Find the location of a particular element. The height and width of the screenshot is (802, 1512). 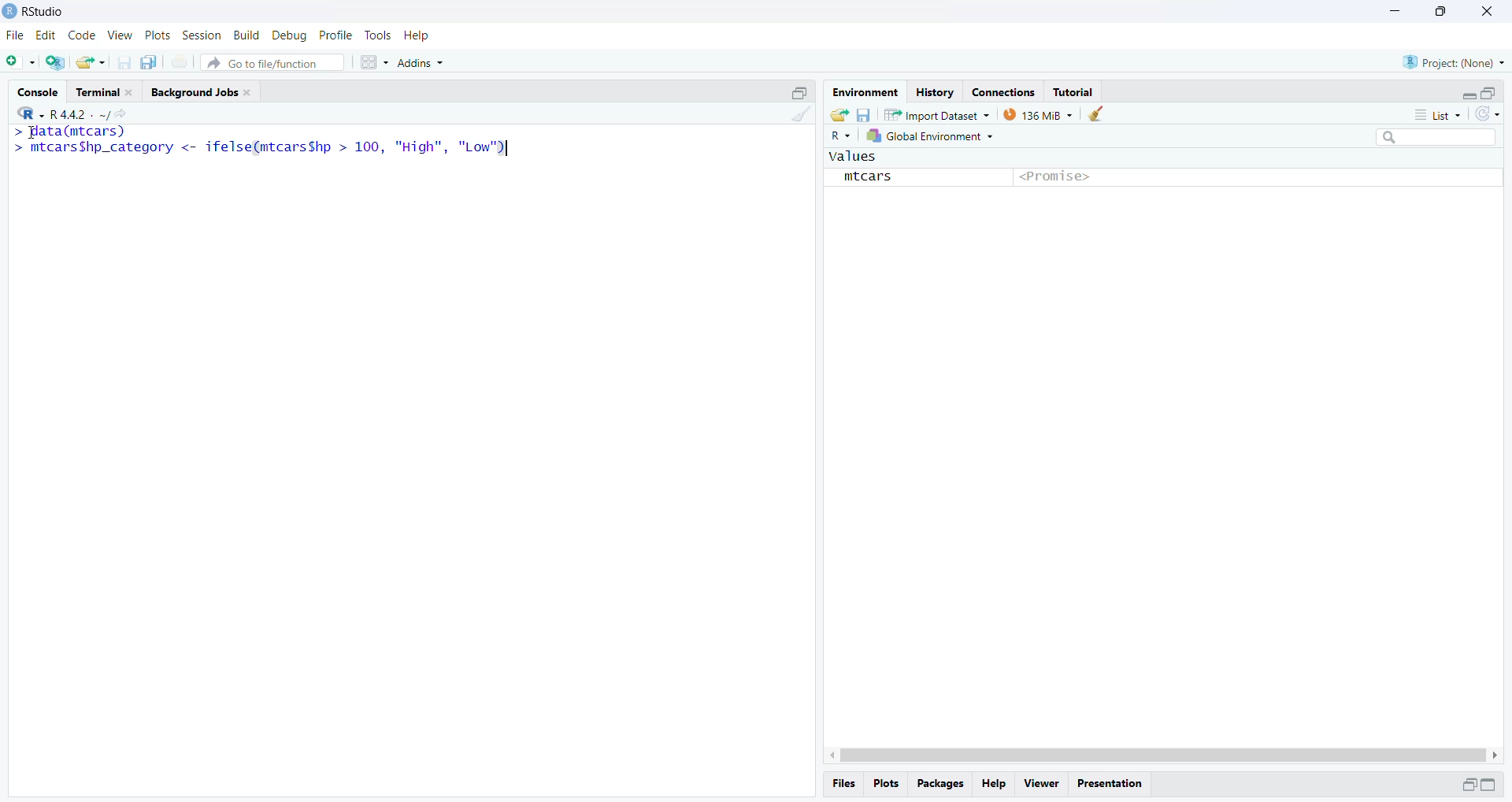

Import Dataset is located at coordinates (937, 114).